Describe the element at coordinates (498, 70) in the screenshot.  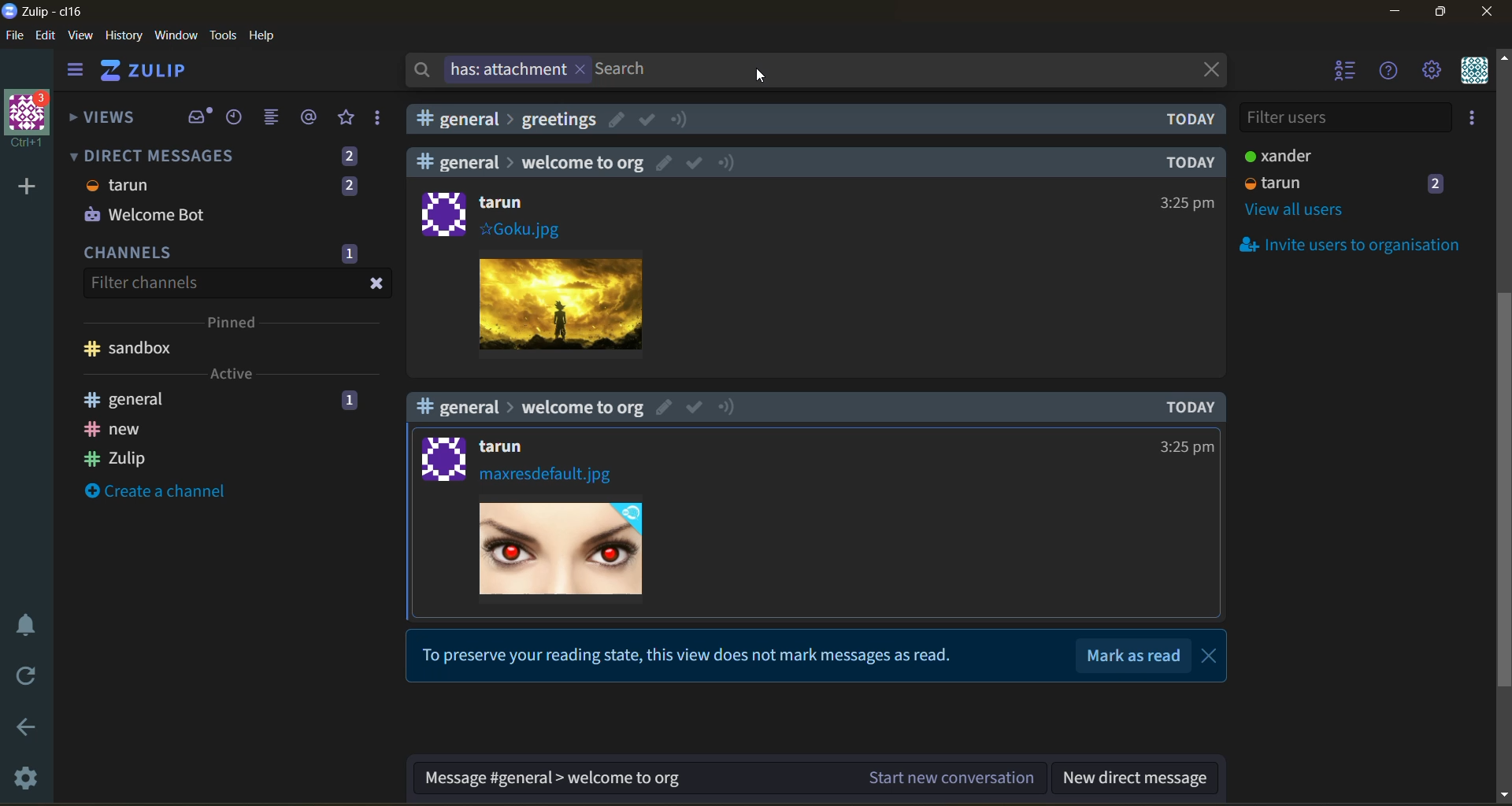
I see `has: attachment` at that location.